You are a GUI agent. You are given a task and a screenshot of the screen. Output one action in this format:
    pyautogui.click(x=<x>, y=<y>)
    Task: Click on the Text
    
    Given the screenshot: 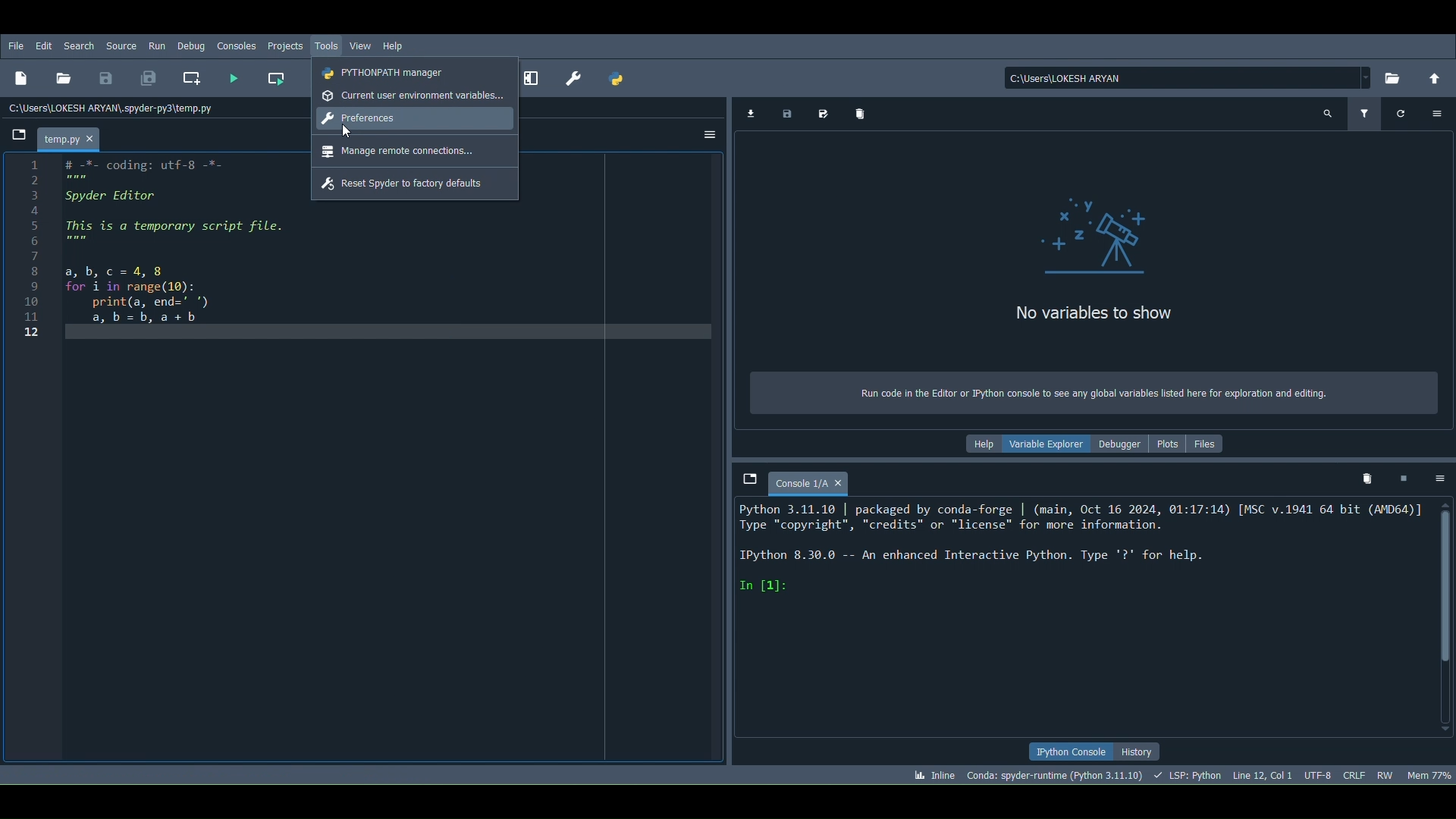 What is the action you would take?
    pyautogui.click(x=1091, y=390)
    